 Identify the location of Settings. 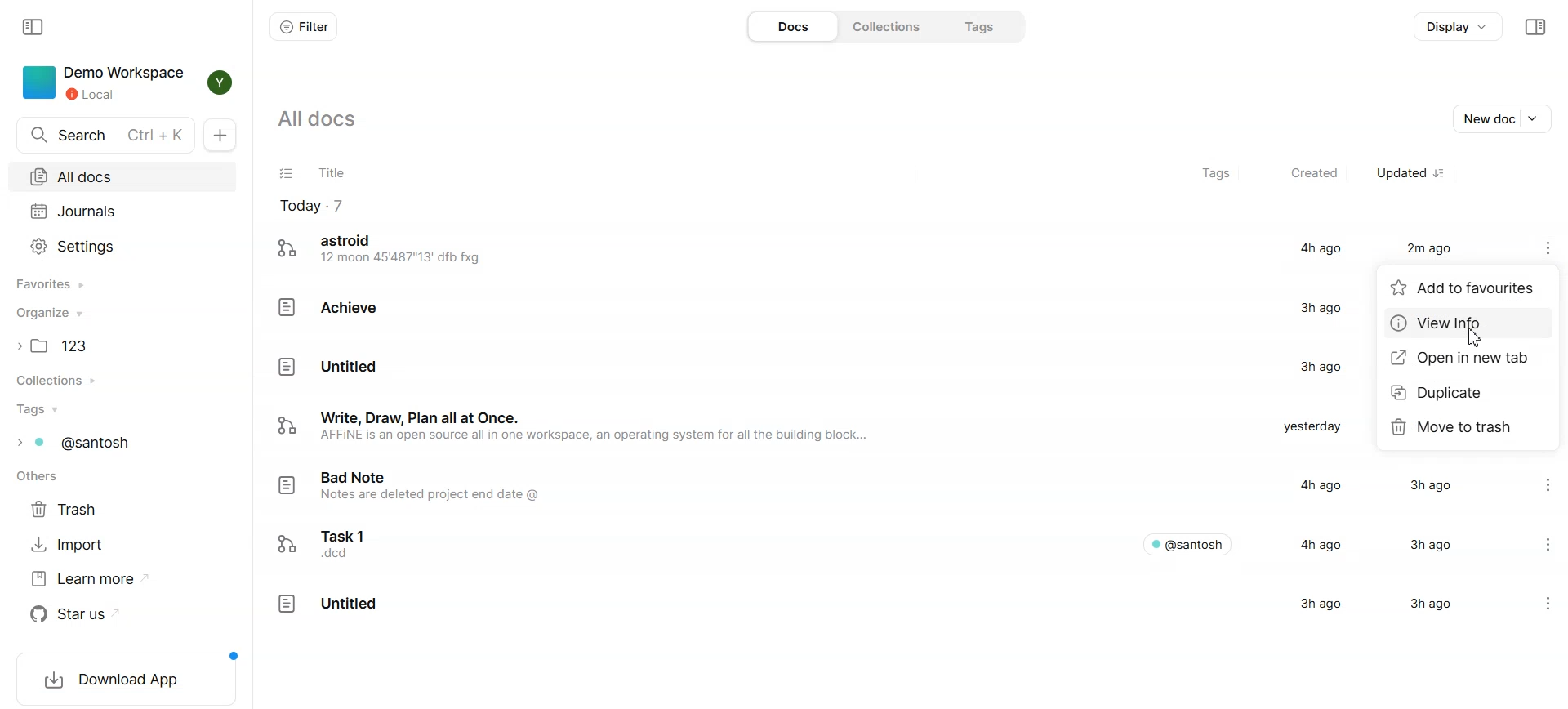
(1535, 597).